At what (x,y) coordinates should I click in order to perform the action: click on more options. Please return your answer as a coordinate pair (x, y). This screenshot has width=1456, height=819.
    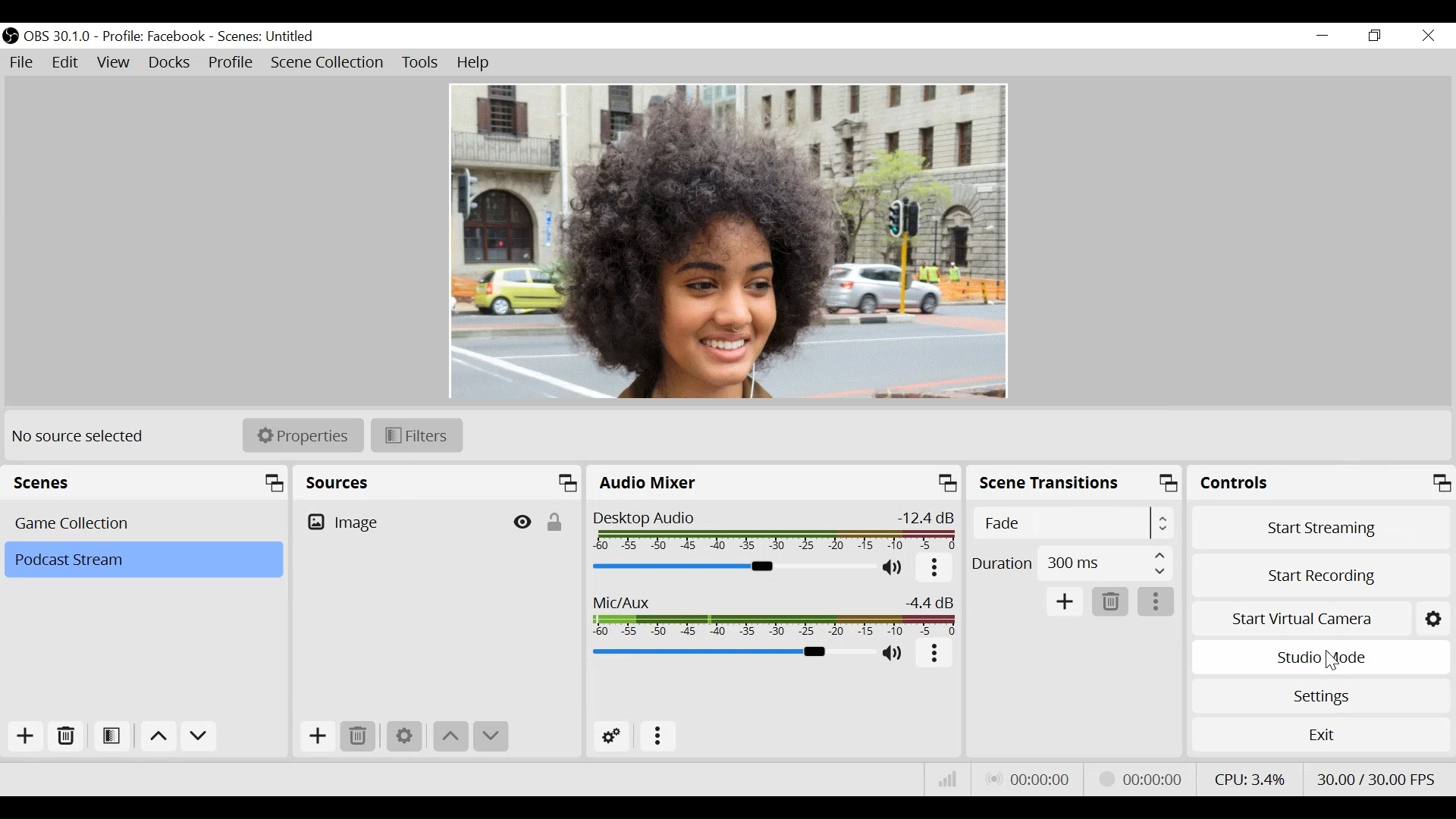
    Looking at the image, I should click on (1157, 601).